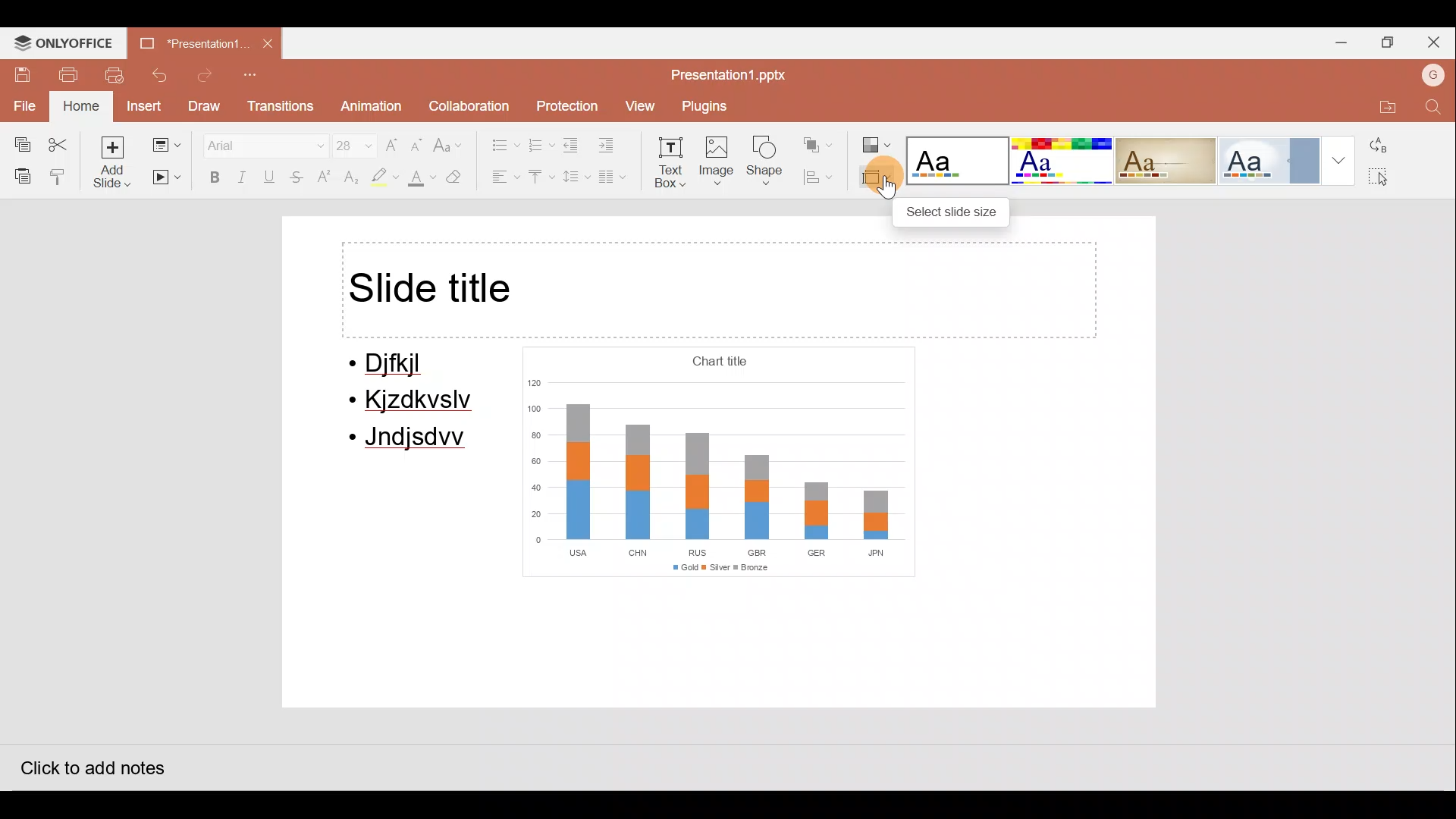 This screenshot has width=1456, height=819. Describe the element at coordinates (346, 142) in the screenshot. I see `Font size` at that location.